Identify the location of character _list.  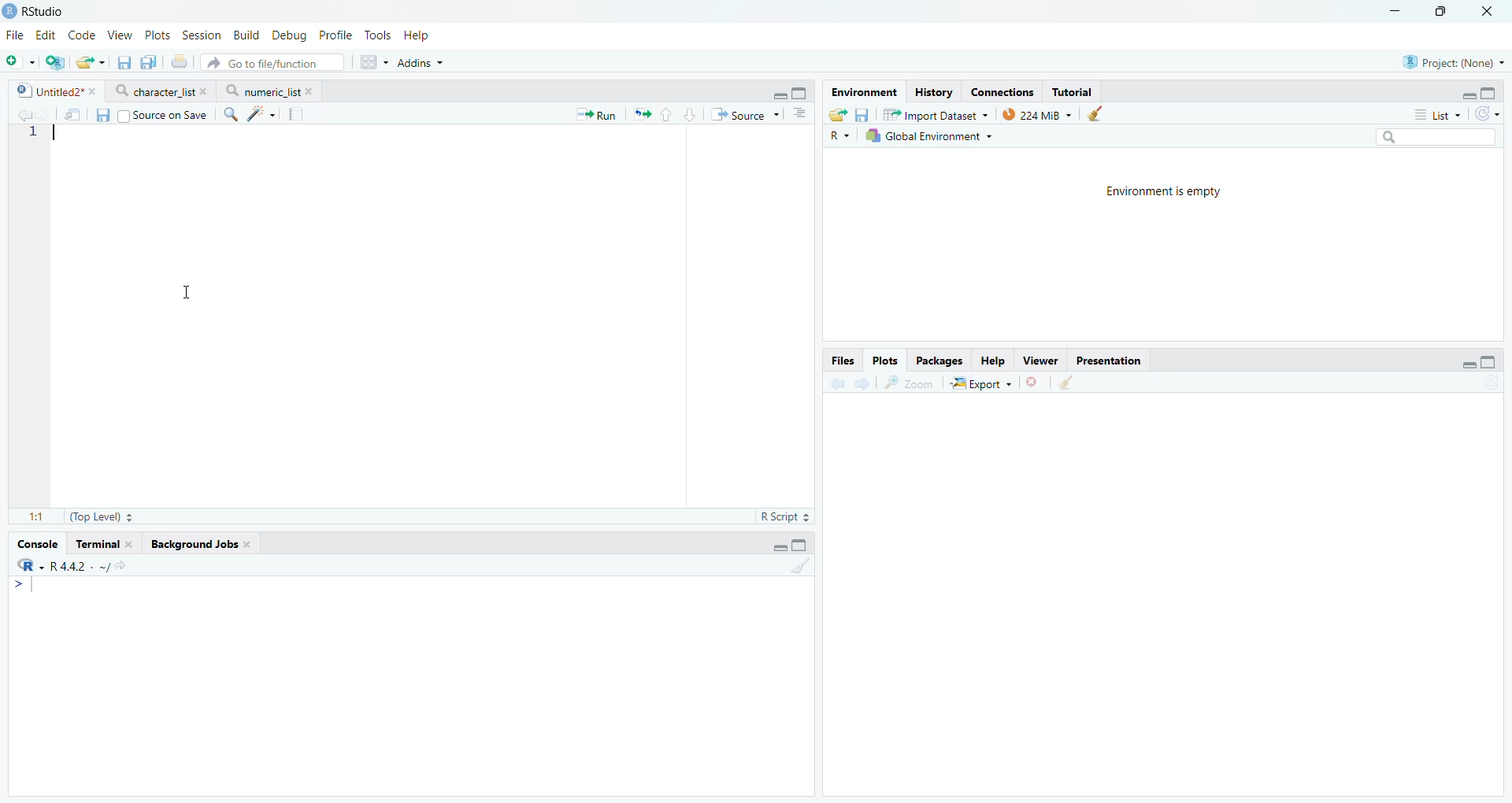
(159, 91).